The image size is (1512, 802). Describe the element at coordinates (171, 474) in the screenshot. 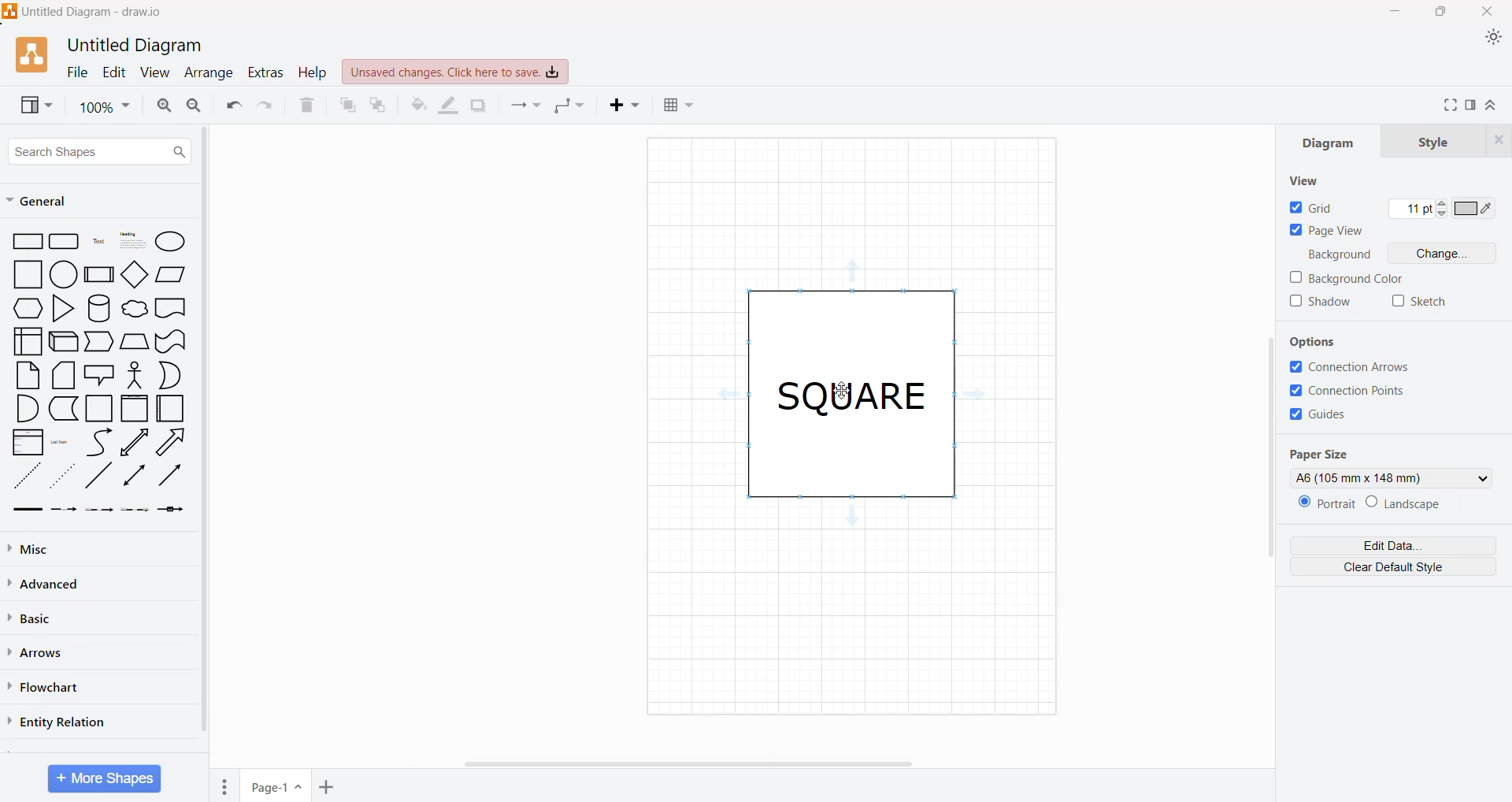

I see `Rightward Thick Arrow` at that location.